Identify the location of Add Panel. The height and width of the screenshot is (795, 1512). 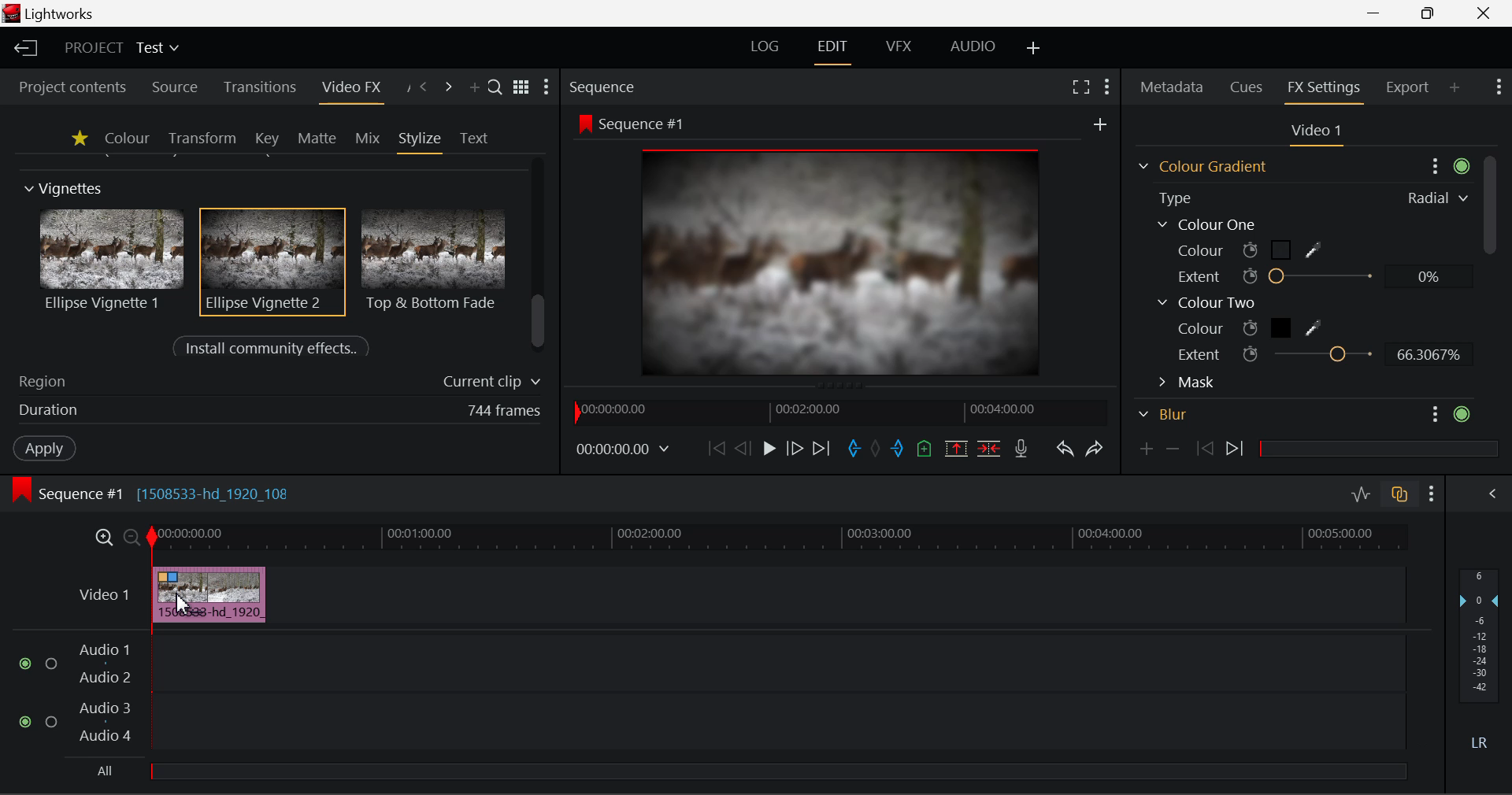
(1455, 89).